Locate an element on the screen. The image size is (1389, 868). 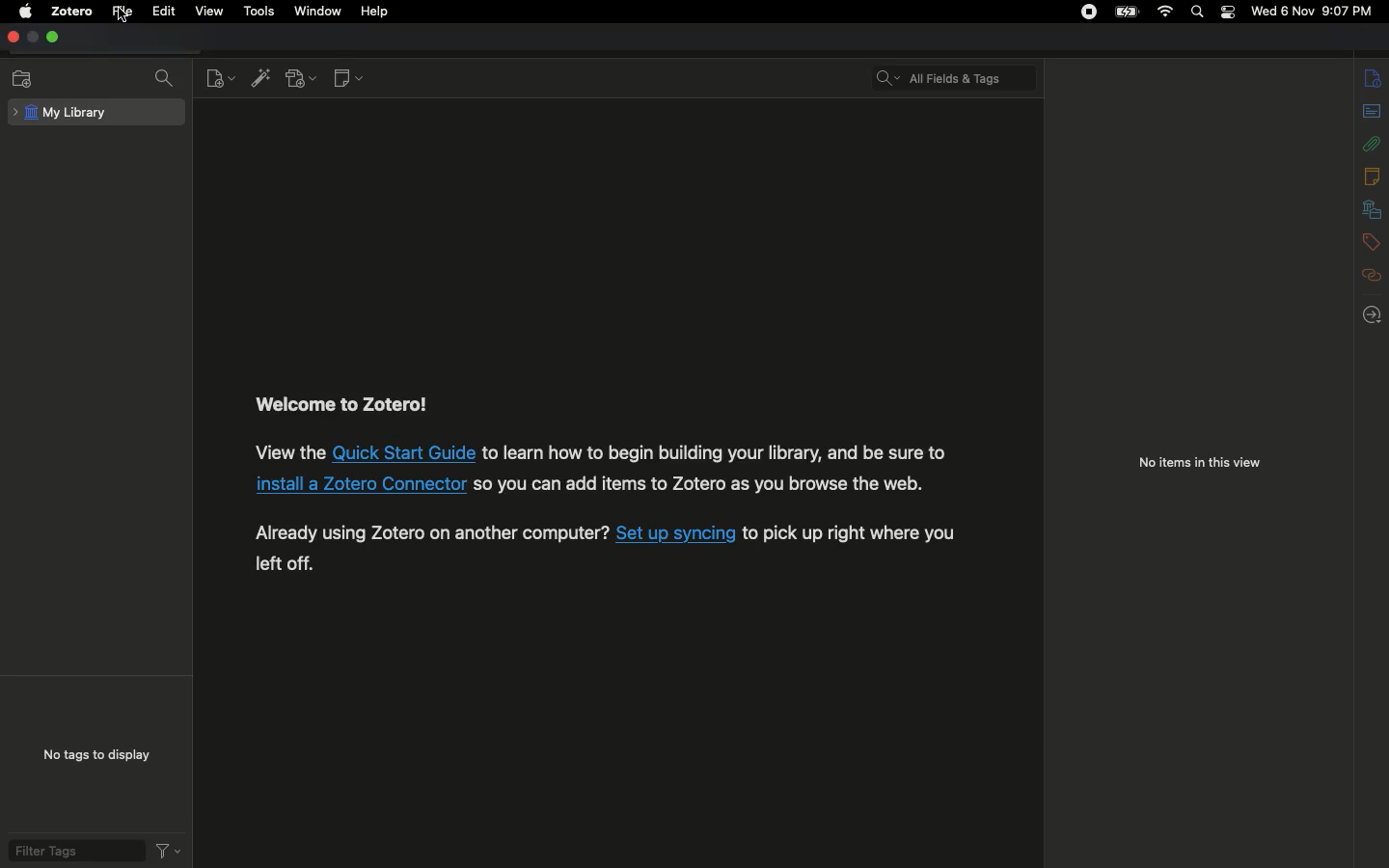
Filter tags is located at coordinates (72, 851).